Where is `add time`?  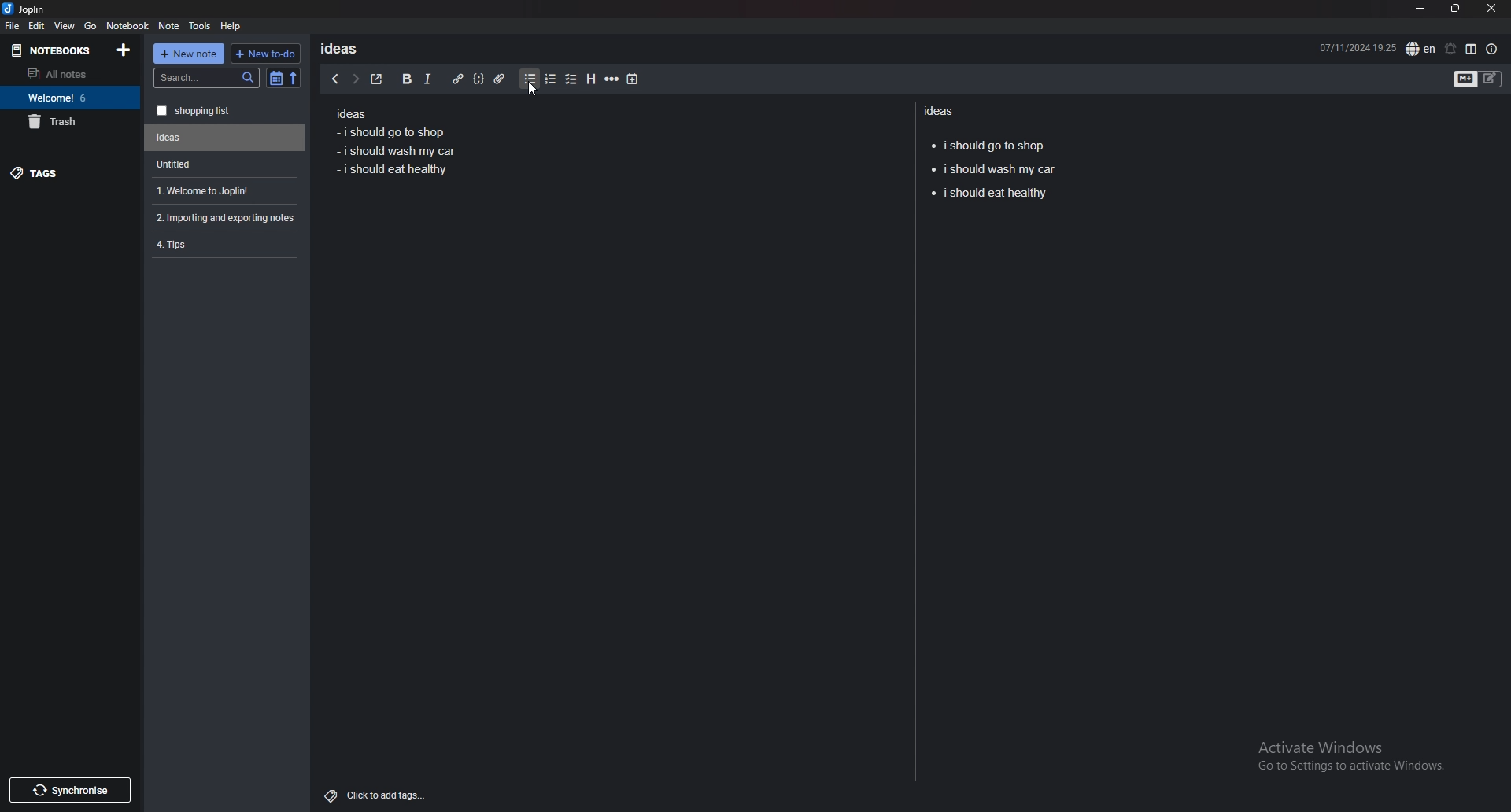 add time is located at coordinates (634, 79).